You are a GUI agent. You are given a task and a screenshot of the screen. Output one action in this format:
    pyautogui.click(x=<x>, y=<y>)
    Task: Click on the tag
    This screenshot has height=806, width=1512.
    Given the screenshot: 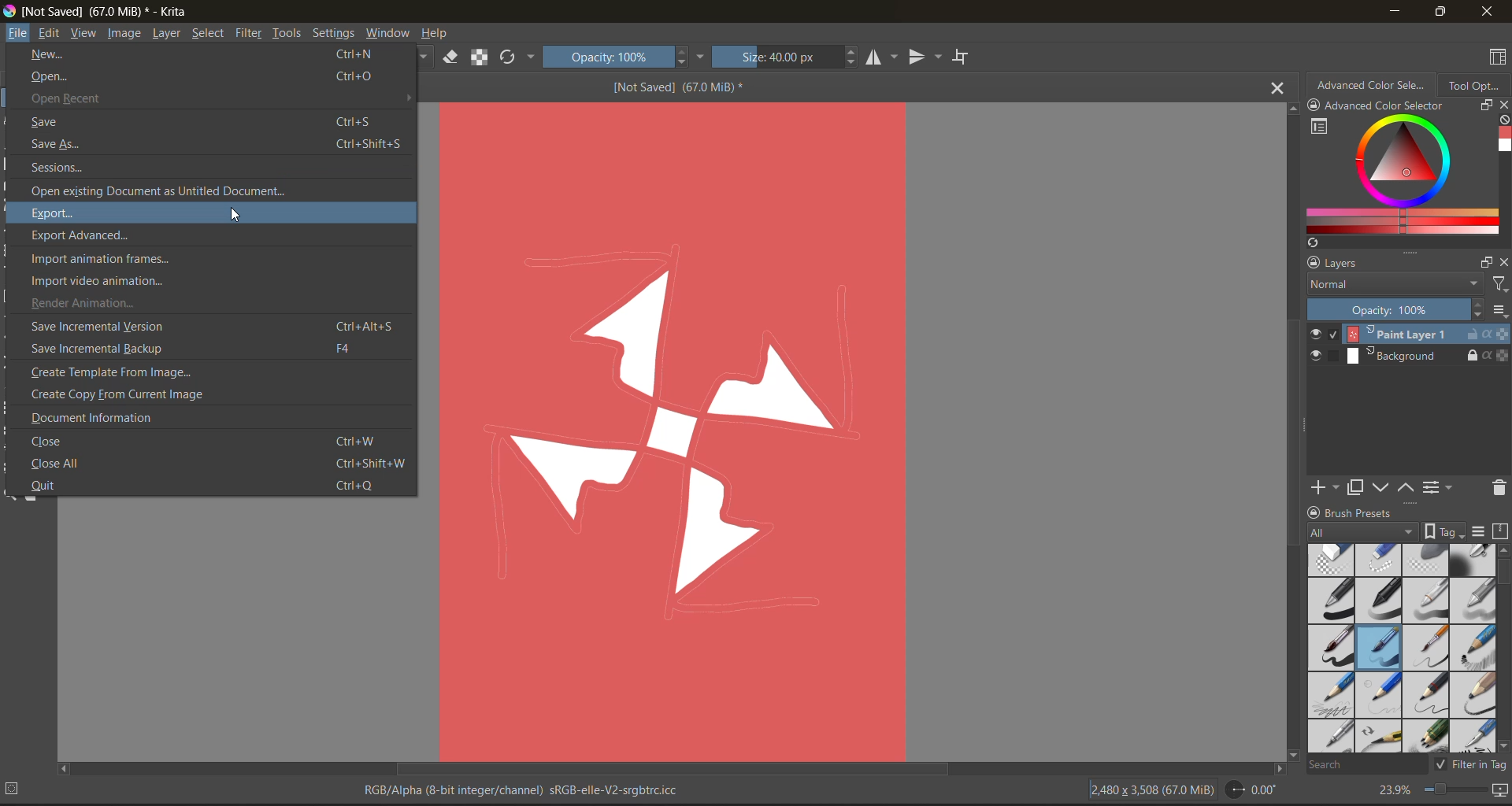 What is the action you would take?
    pyautogui.click(x=1389, y=531)
    